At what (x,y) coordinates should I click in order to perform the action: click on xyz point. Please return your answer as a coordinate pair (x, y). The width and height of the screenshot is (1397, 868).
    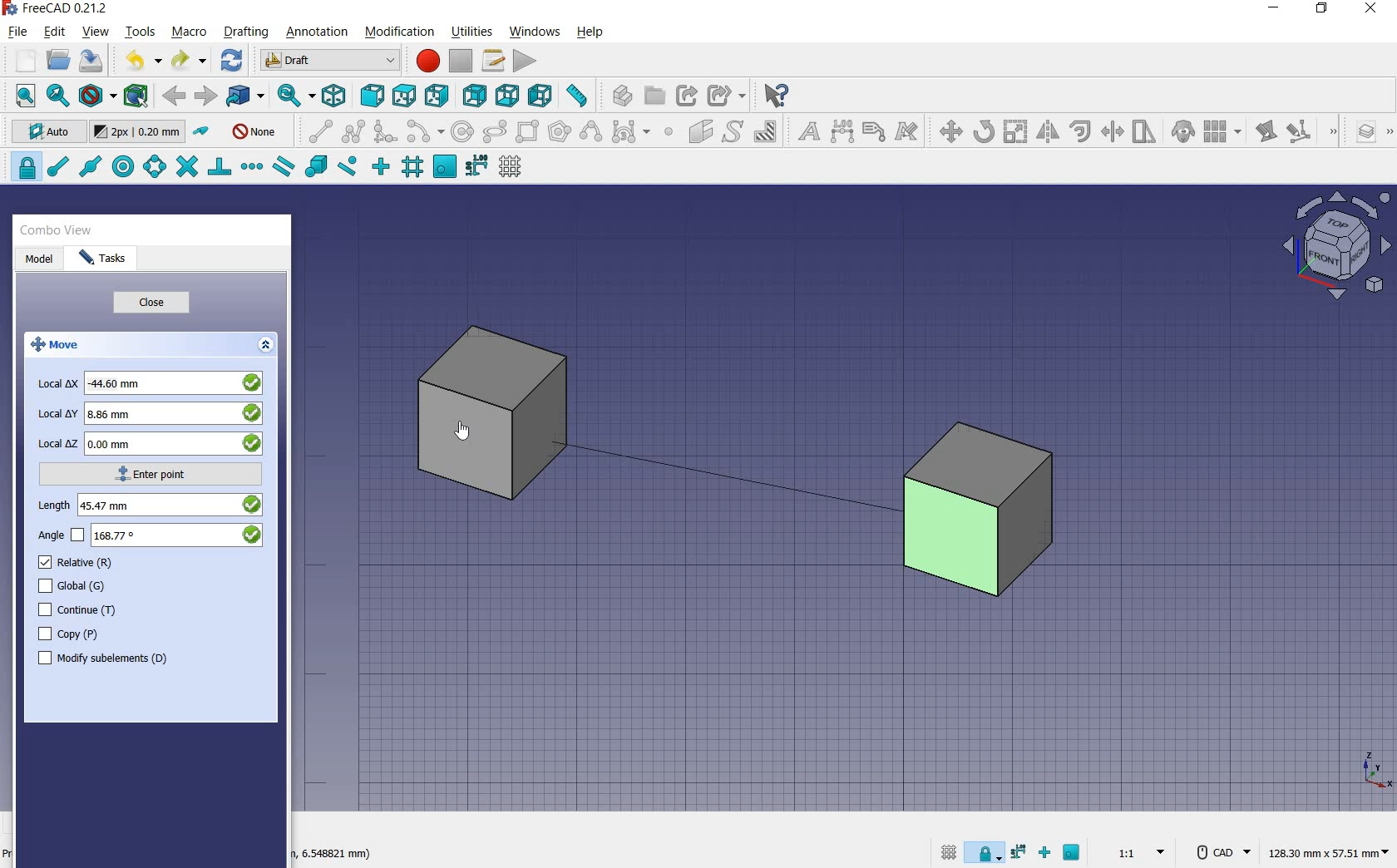
    Looking at the image, I should click on (1376, 771).